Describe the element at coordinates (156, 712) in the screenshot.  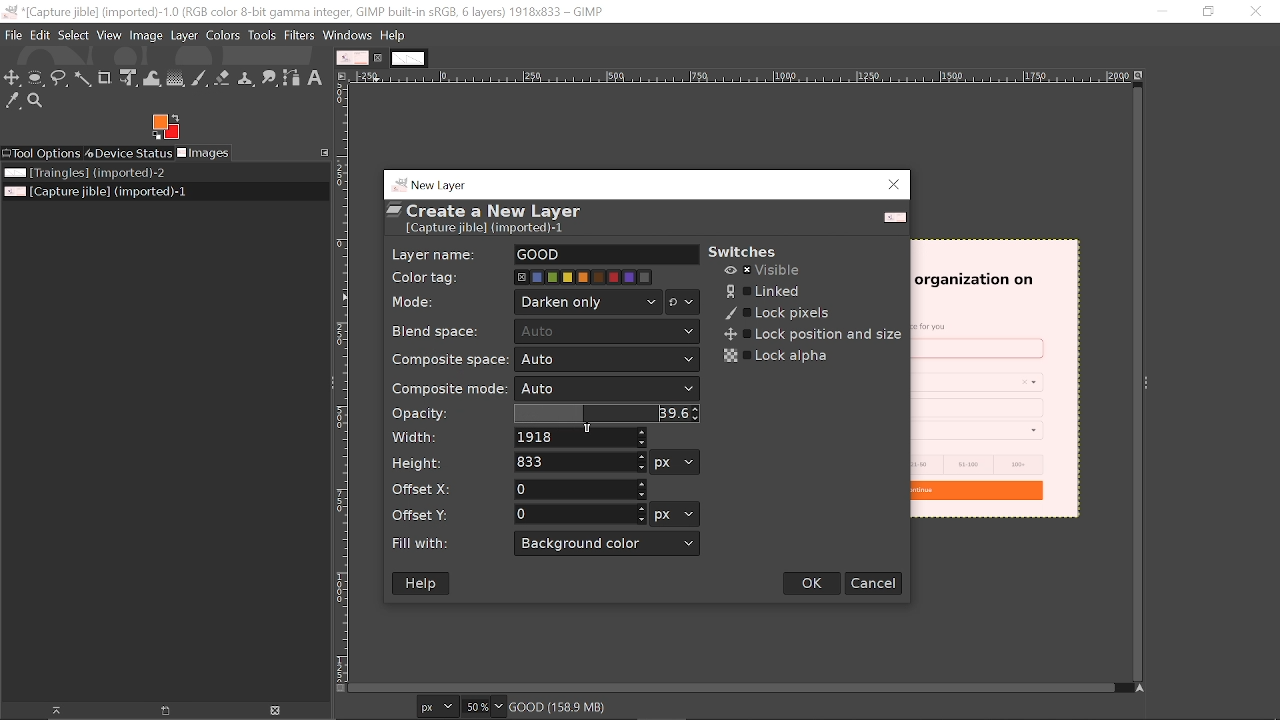
I see `New display for the image` at that location.